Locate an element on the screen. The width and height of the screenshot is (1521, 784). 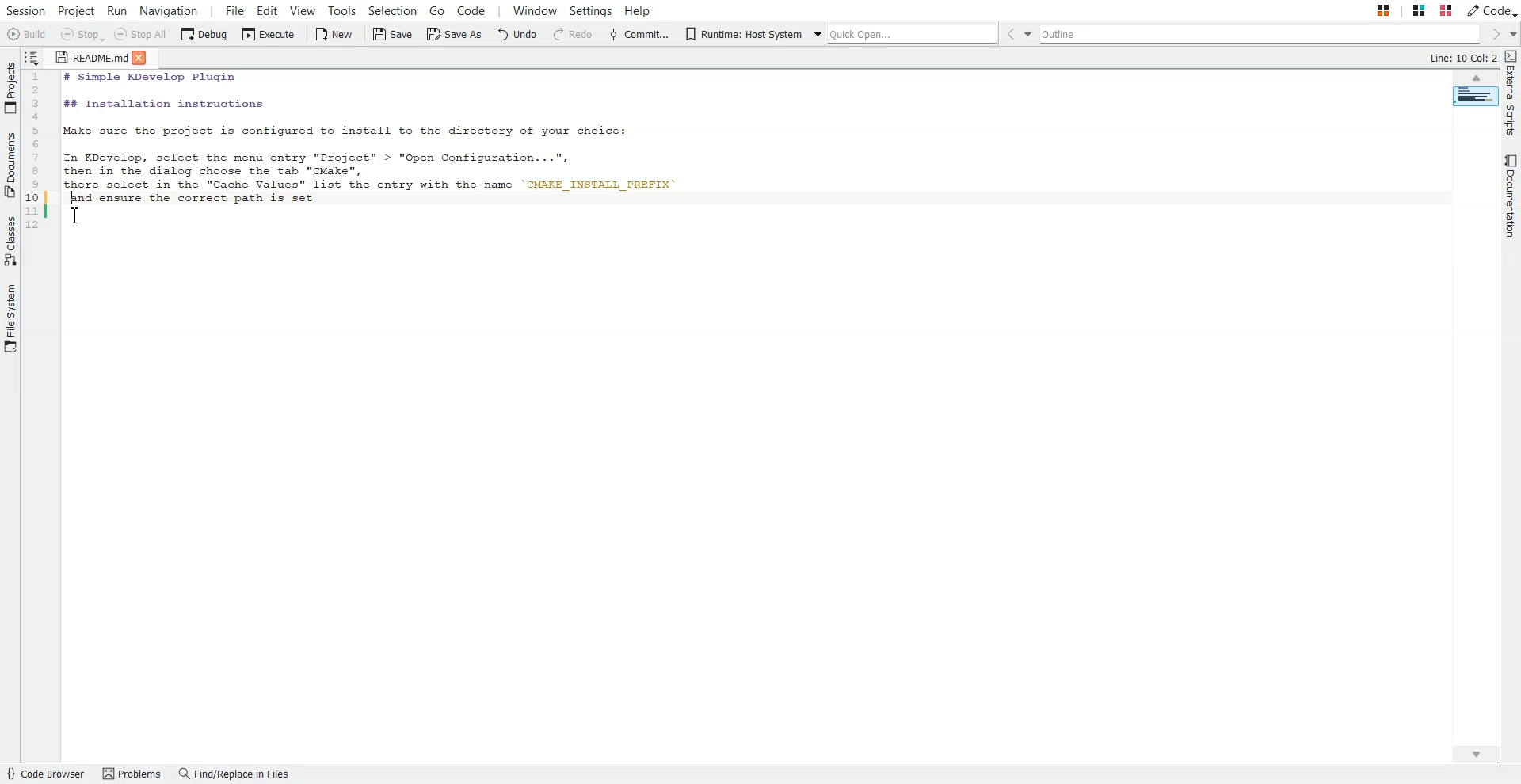
File System is located at coordinates (10, 319).